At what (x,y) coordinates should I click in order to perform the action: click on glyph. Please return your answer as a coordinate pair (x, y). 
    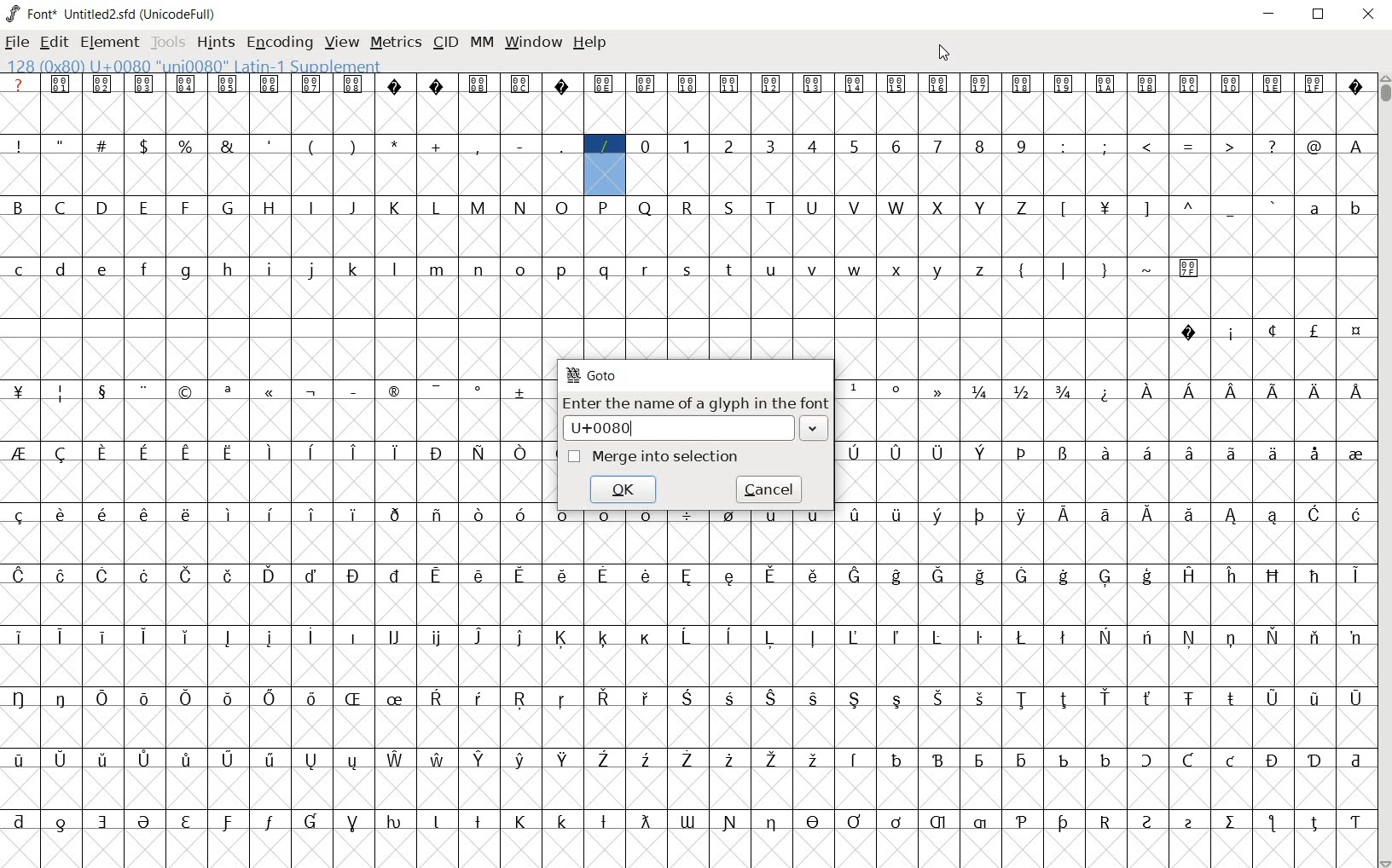
    Looking at the image, I should click on (144, 576).